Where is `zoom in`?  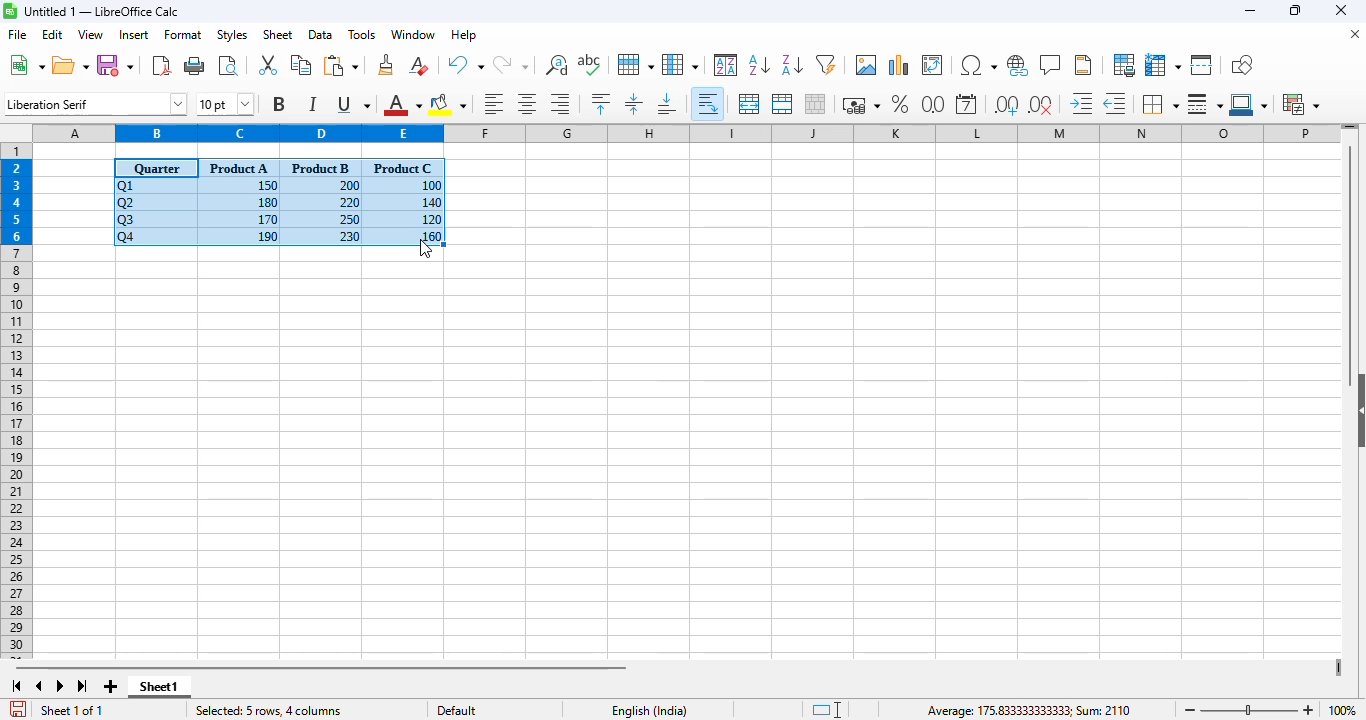 zoom in is located at coordinates (1309, 710).